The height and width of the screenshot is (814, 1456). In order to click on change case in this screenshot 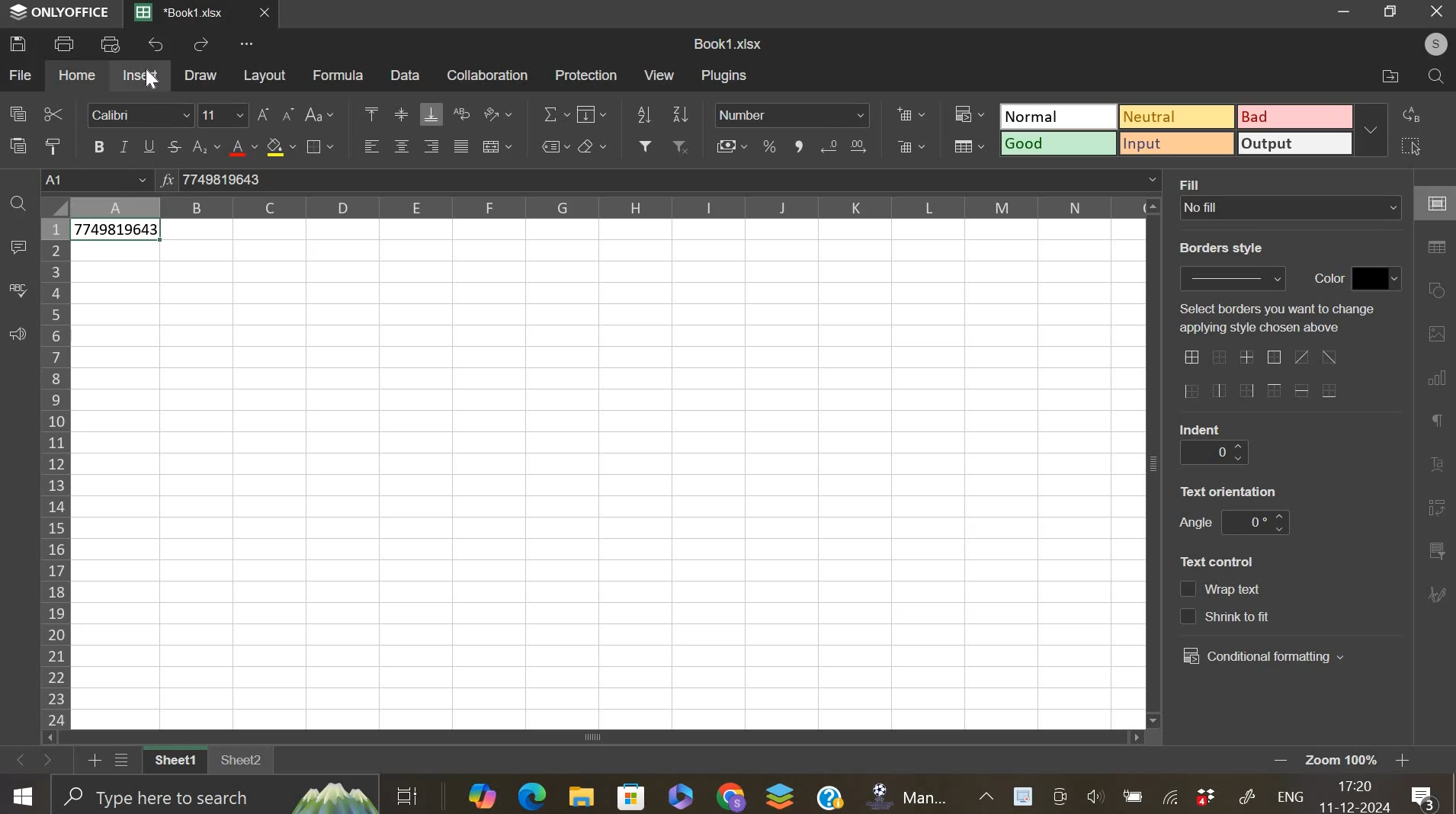, I will do `click(319, 116)`.